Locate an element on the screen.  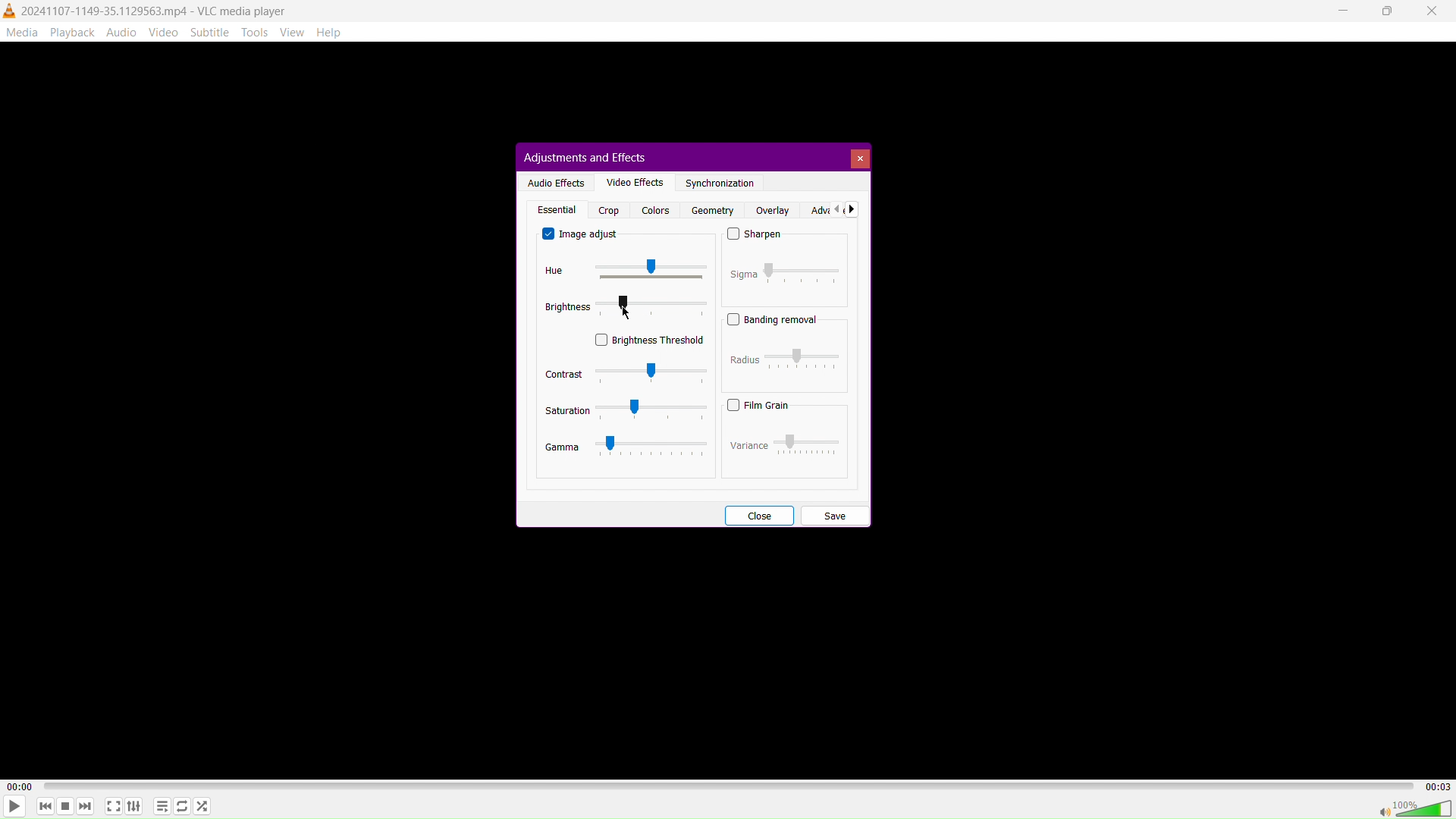
Variance is located at coordinates (783, 443).